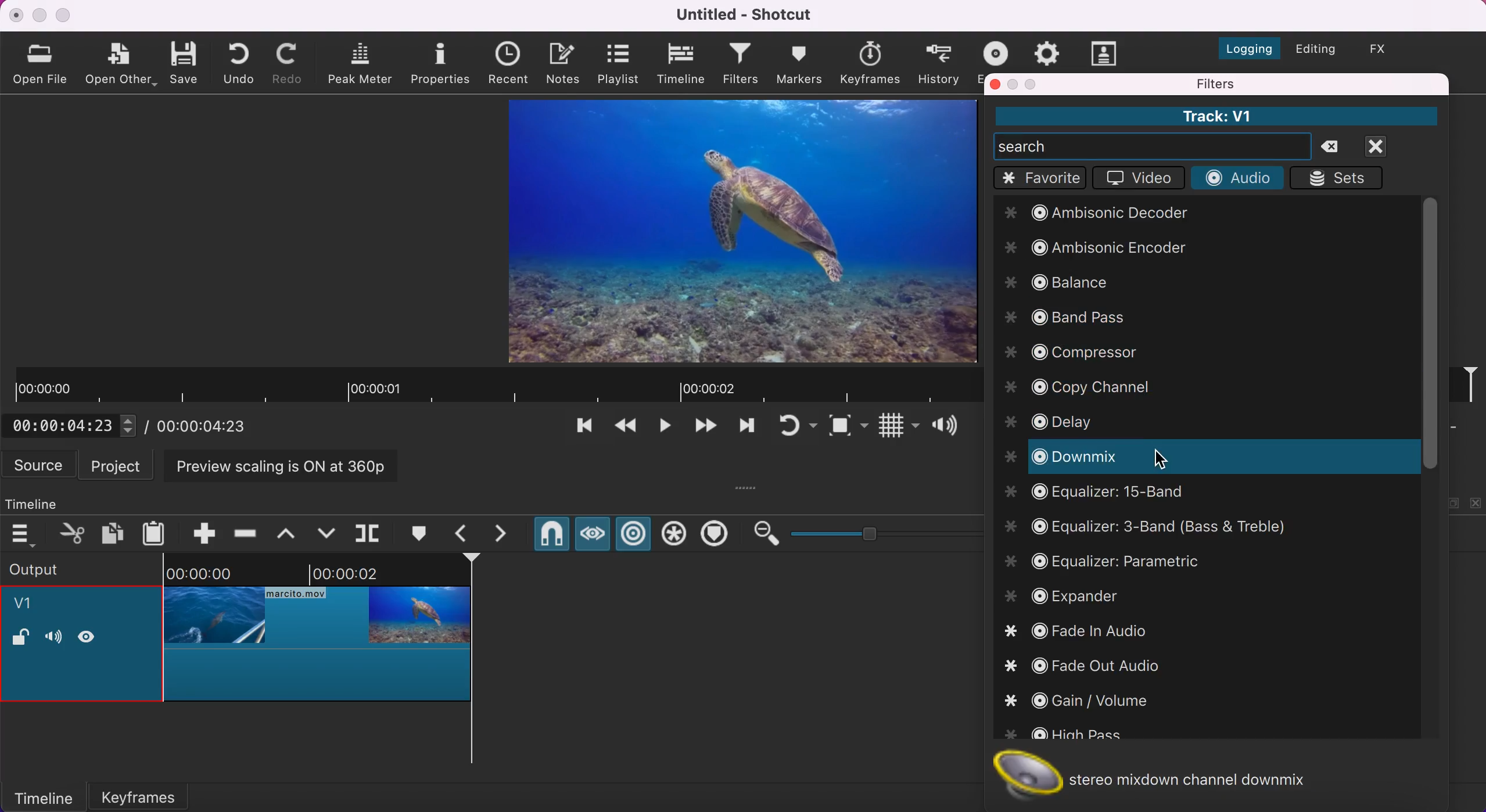 The width and height of the screenshot is (1486, 812). What do you see at coordinates (26, 534) in the screenshot?
I see `timeline menu` at bounding box center [26, 534].